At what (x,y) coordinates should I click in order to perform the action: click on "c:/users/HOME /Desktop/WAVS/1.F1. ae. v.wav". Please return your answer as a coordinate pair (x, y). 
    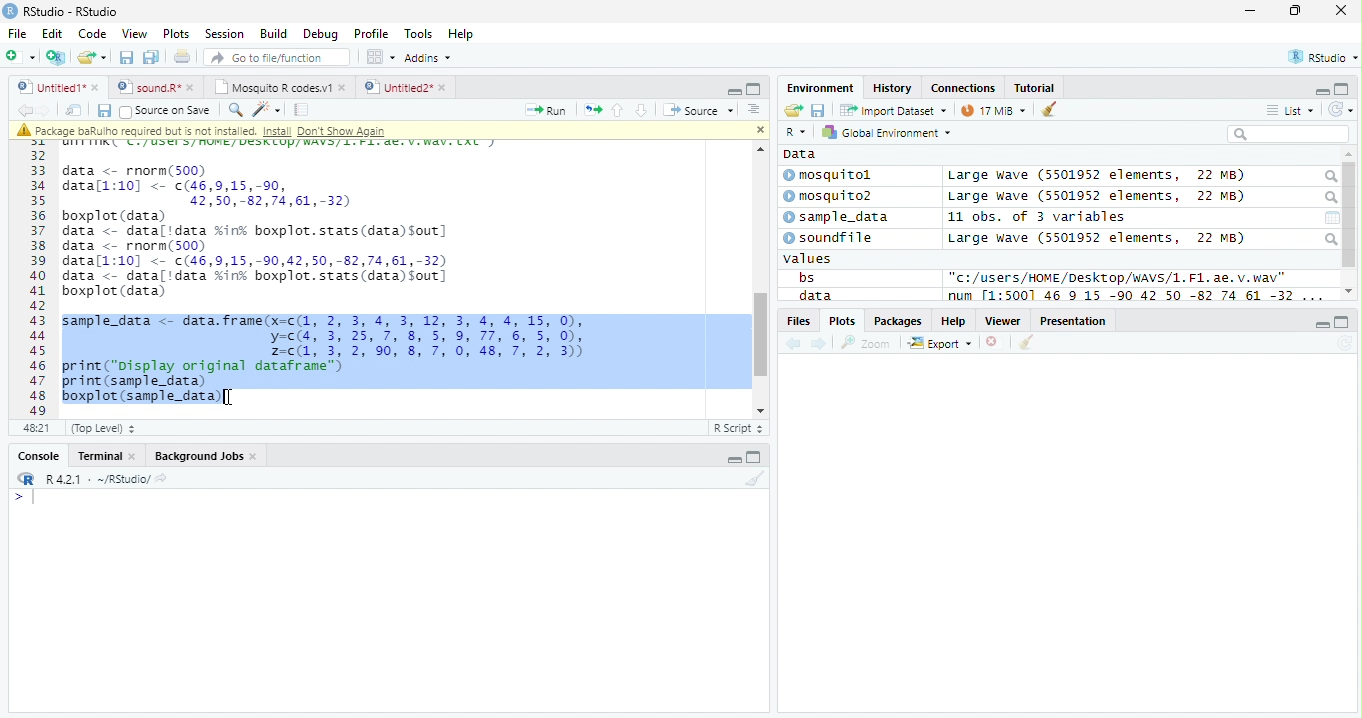
    Looking at the image, I should click on (1118, 277).